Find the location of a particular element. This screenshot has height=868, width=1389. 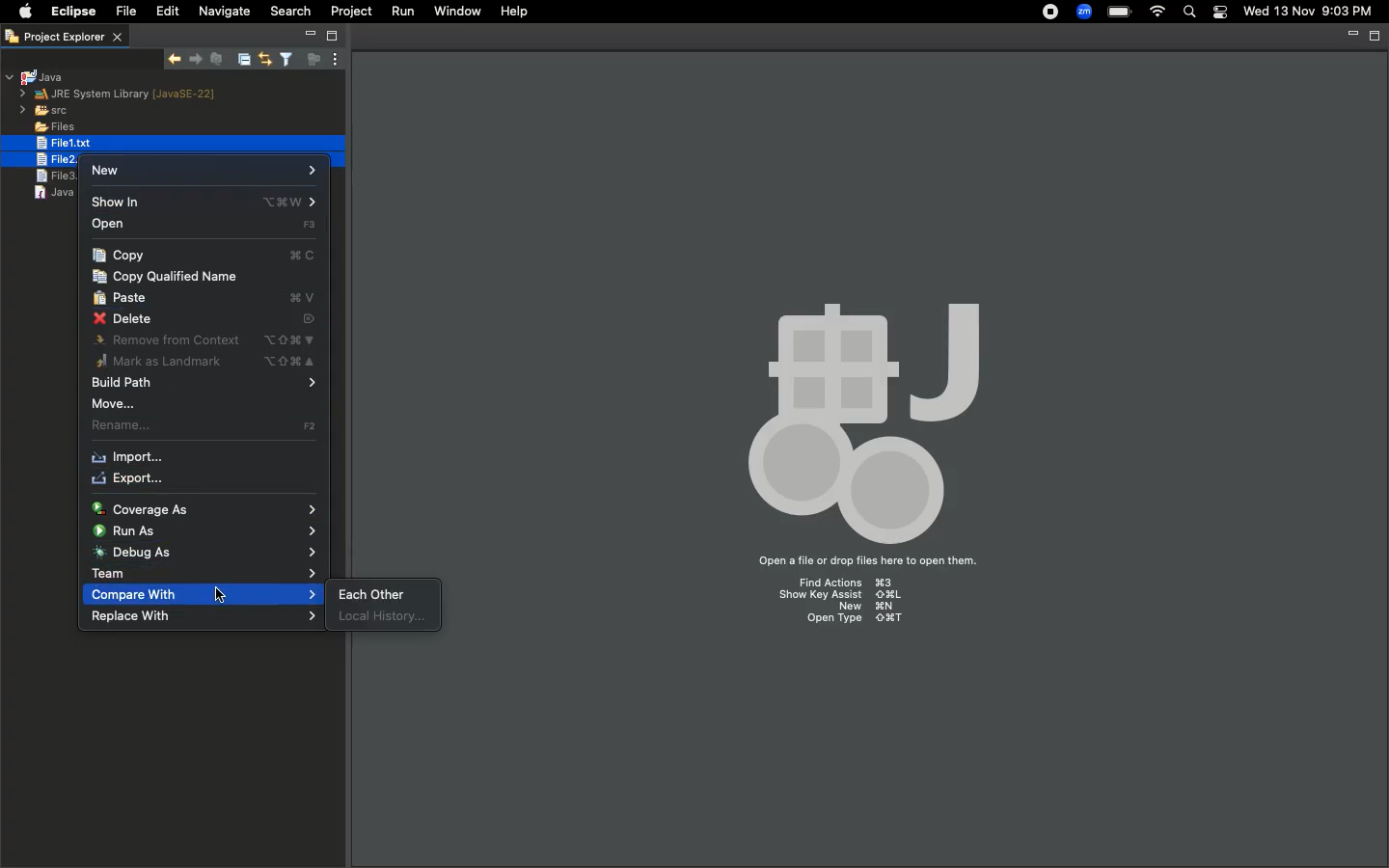

Charge is located at coordinates (1118, 12).